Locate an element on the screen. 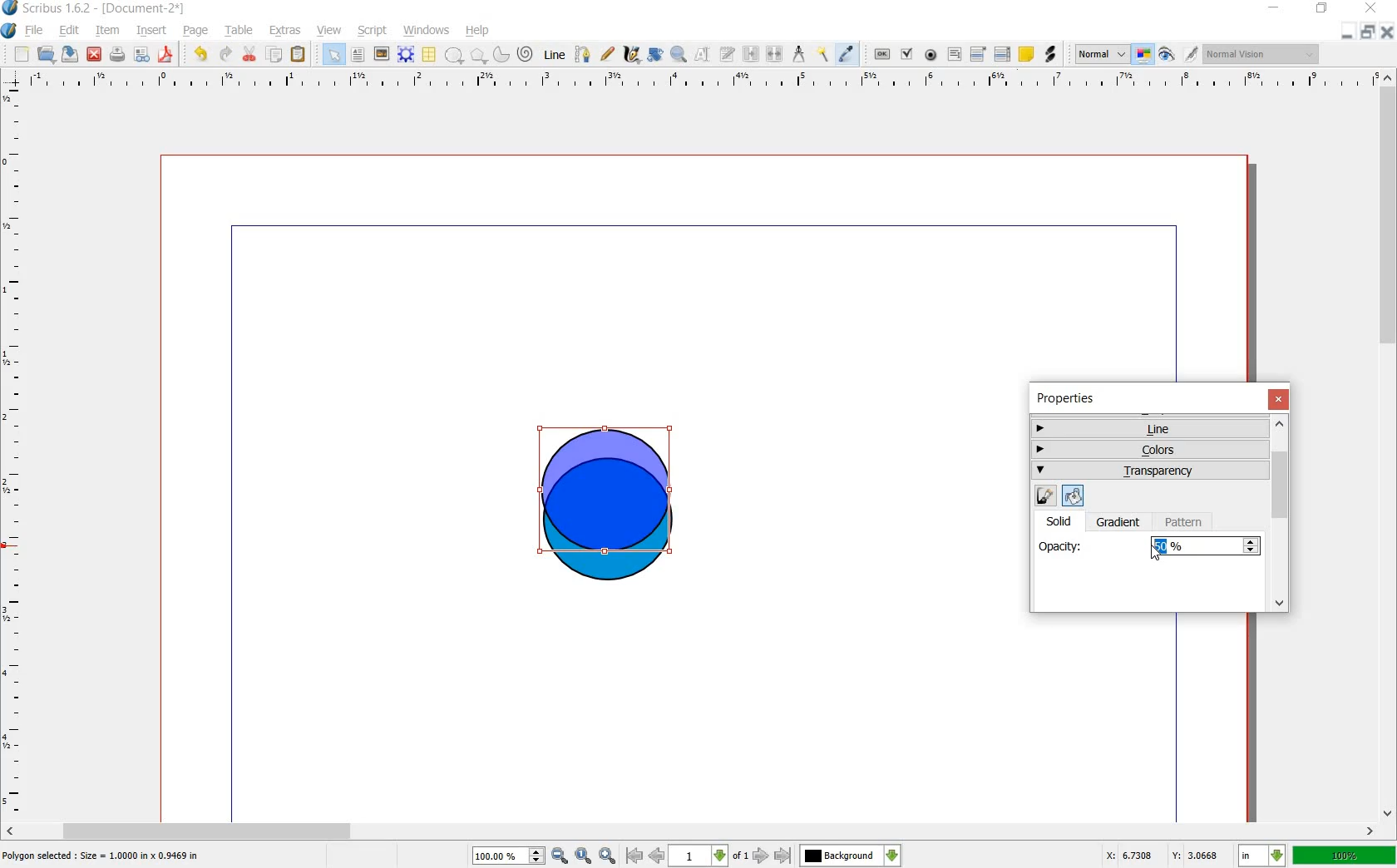 The height and width of the screenshot is (868, 1397). open is located at coordinates (45, 54).